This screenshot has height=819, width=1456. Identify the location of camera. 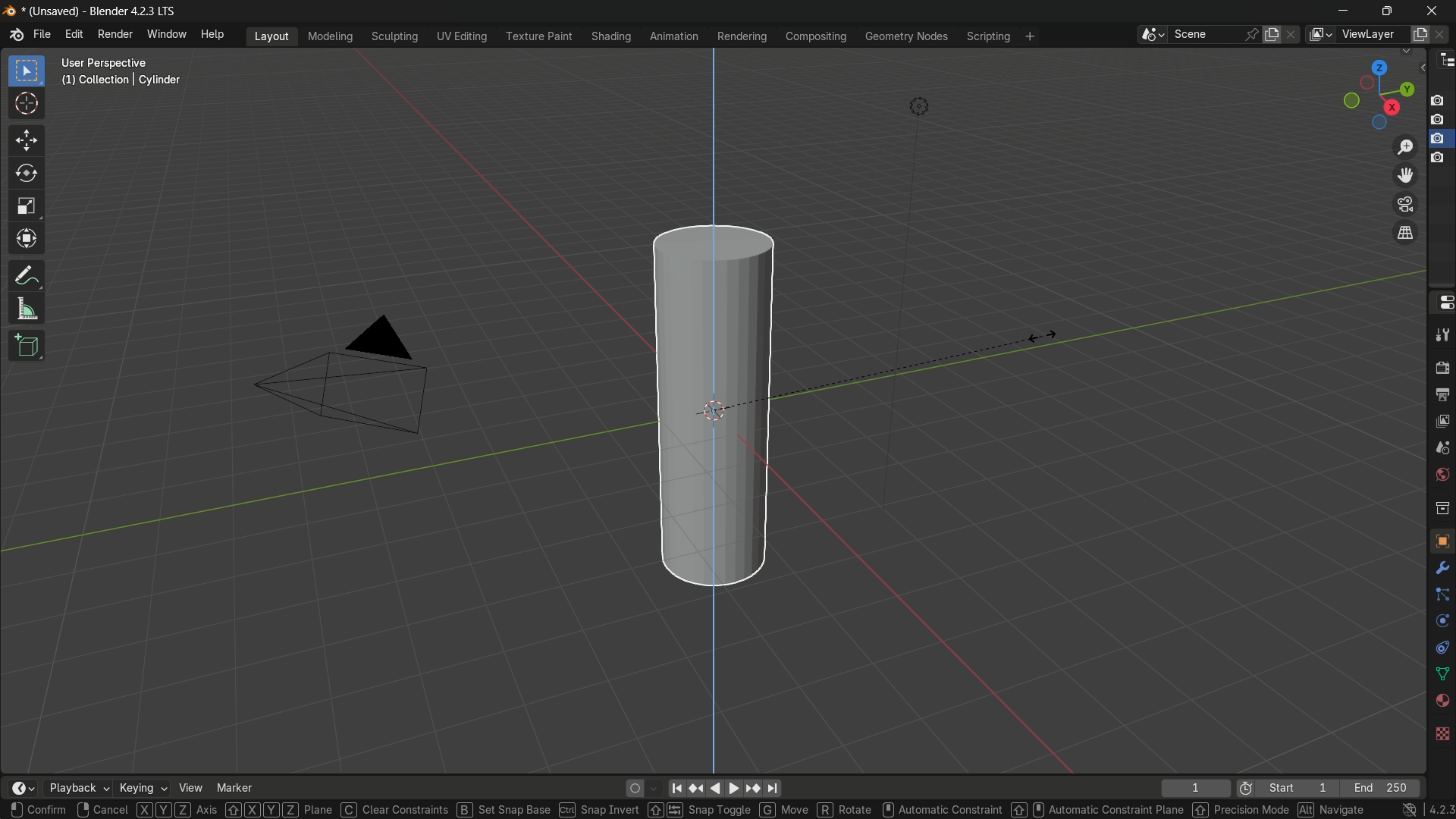
(369, 377).